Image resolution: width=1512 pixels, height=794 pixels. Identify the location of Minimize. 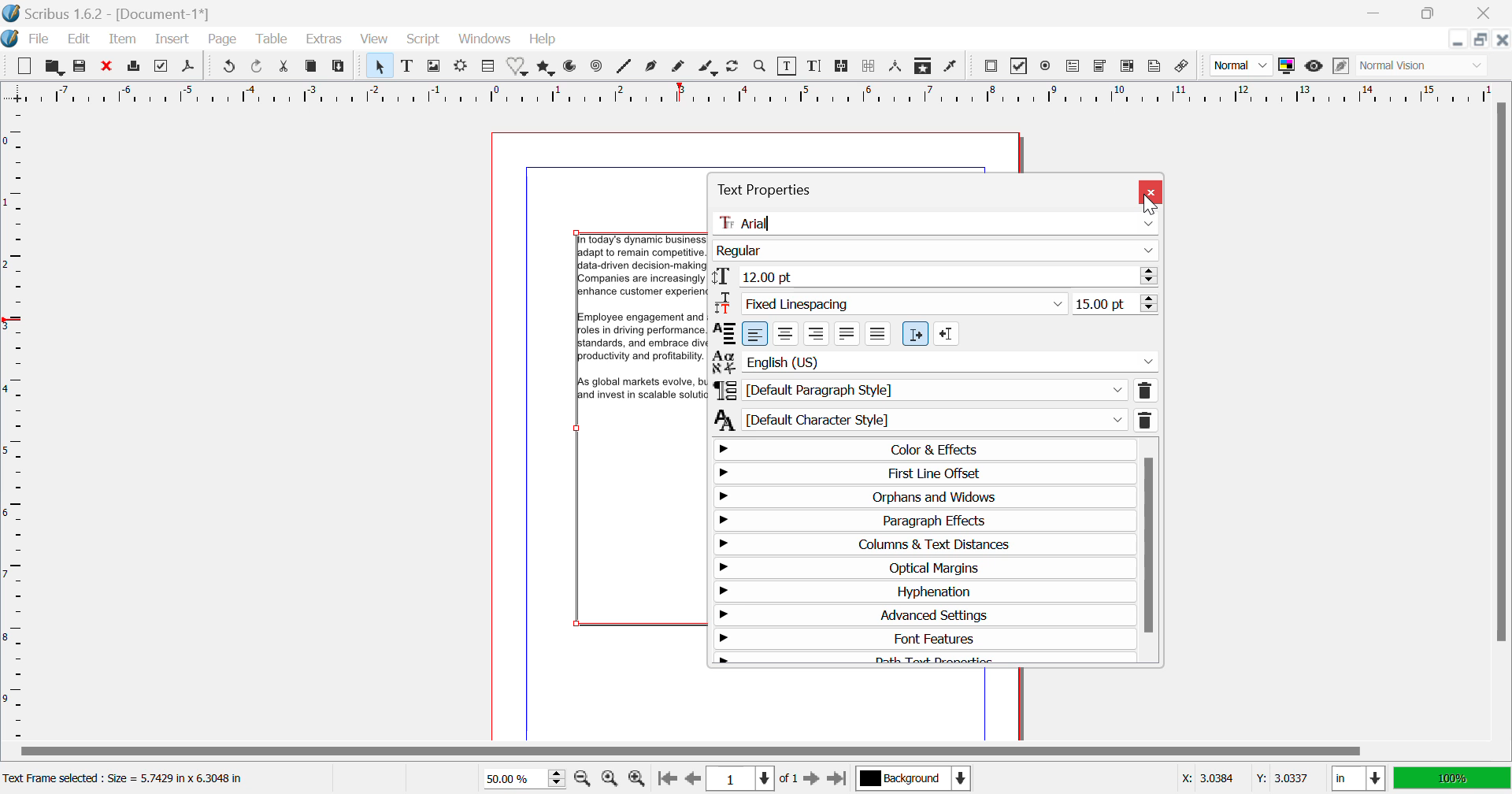
(1431, 13).